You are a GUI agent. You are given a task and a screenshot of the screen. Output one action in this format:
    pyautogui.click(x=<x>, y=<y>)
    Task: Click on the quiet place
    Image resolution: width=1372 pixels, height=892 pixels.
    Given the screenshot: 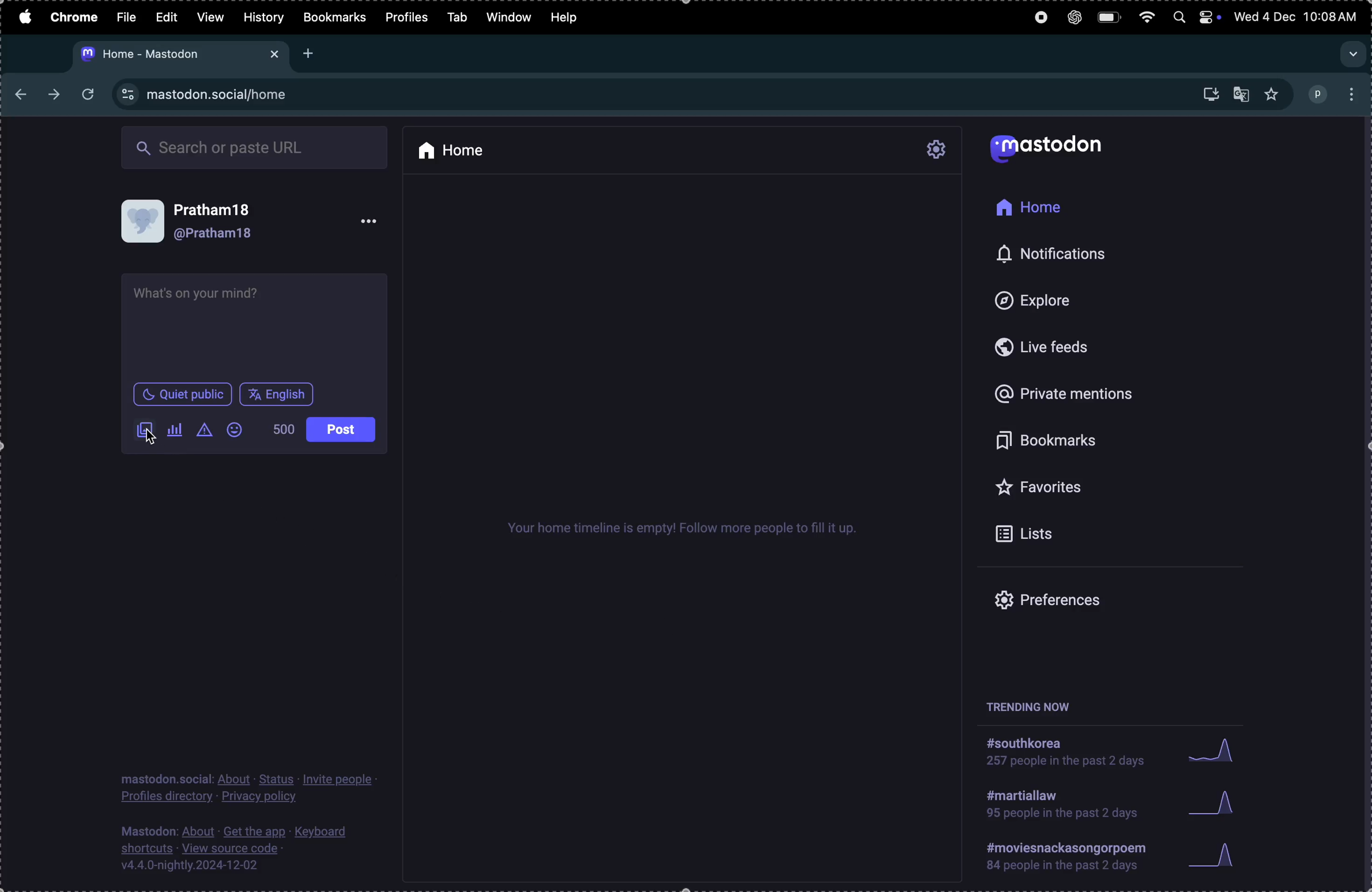 What is the action you would take?
    pyautogui.click(x=183, y=396)
    